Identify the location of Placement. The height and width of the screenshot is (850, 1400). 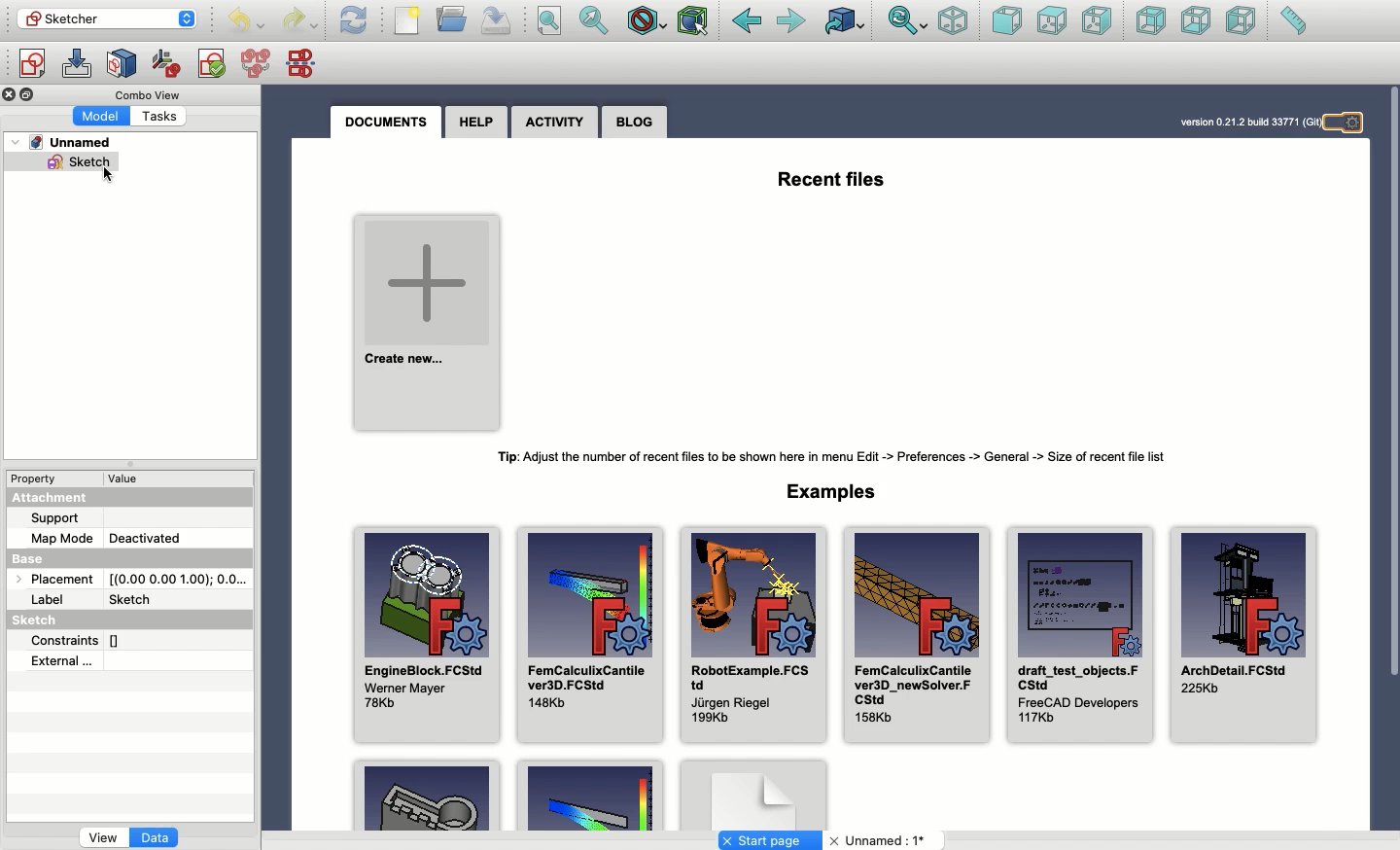
(51, 578).